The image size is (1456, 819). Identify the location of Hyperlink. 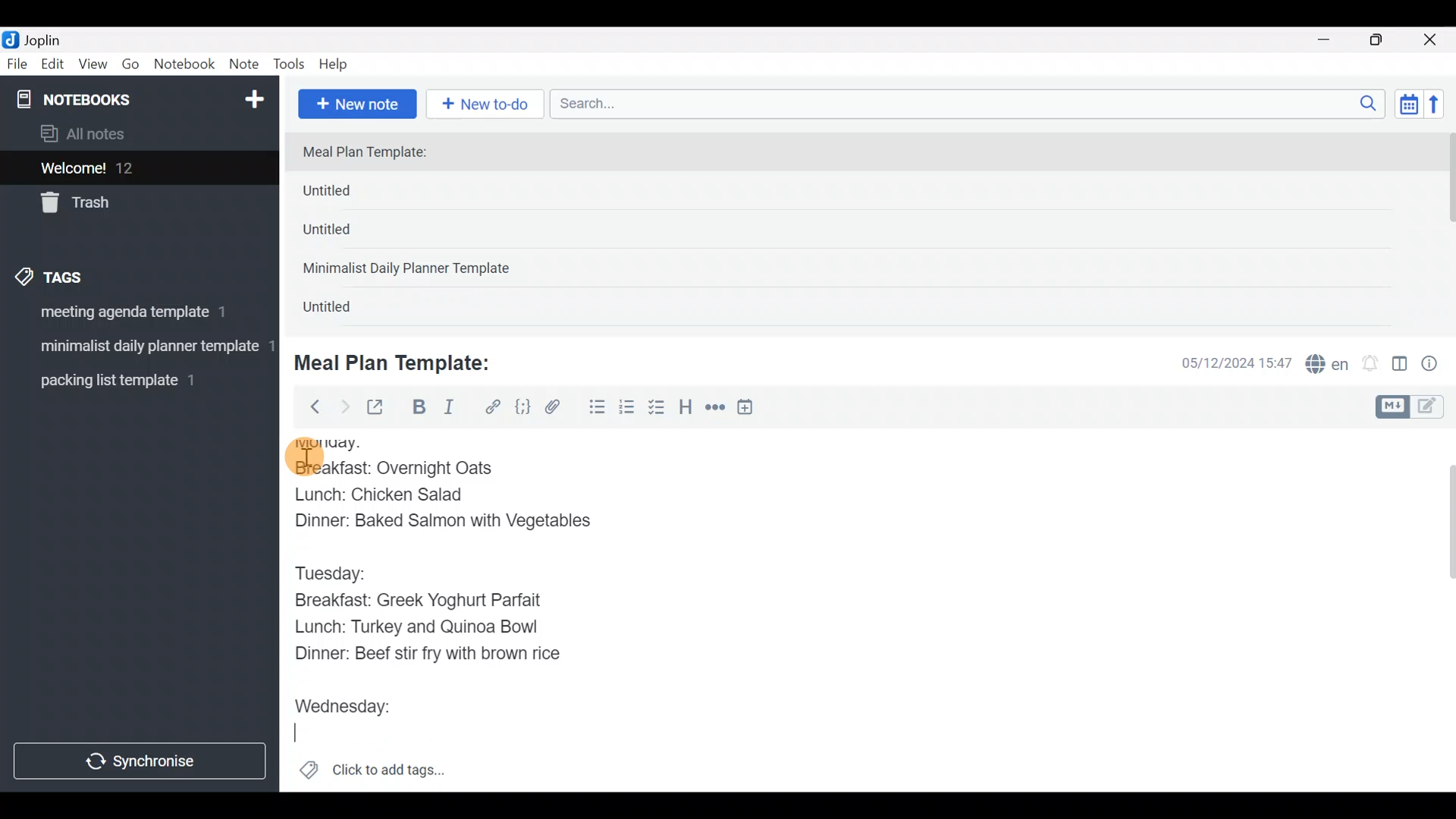
(493, 407).